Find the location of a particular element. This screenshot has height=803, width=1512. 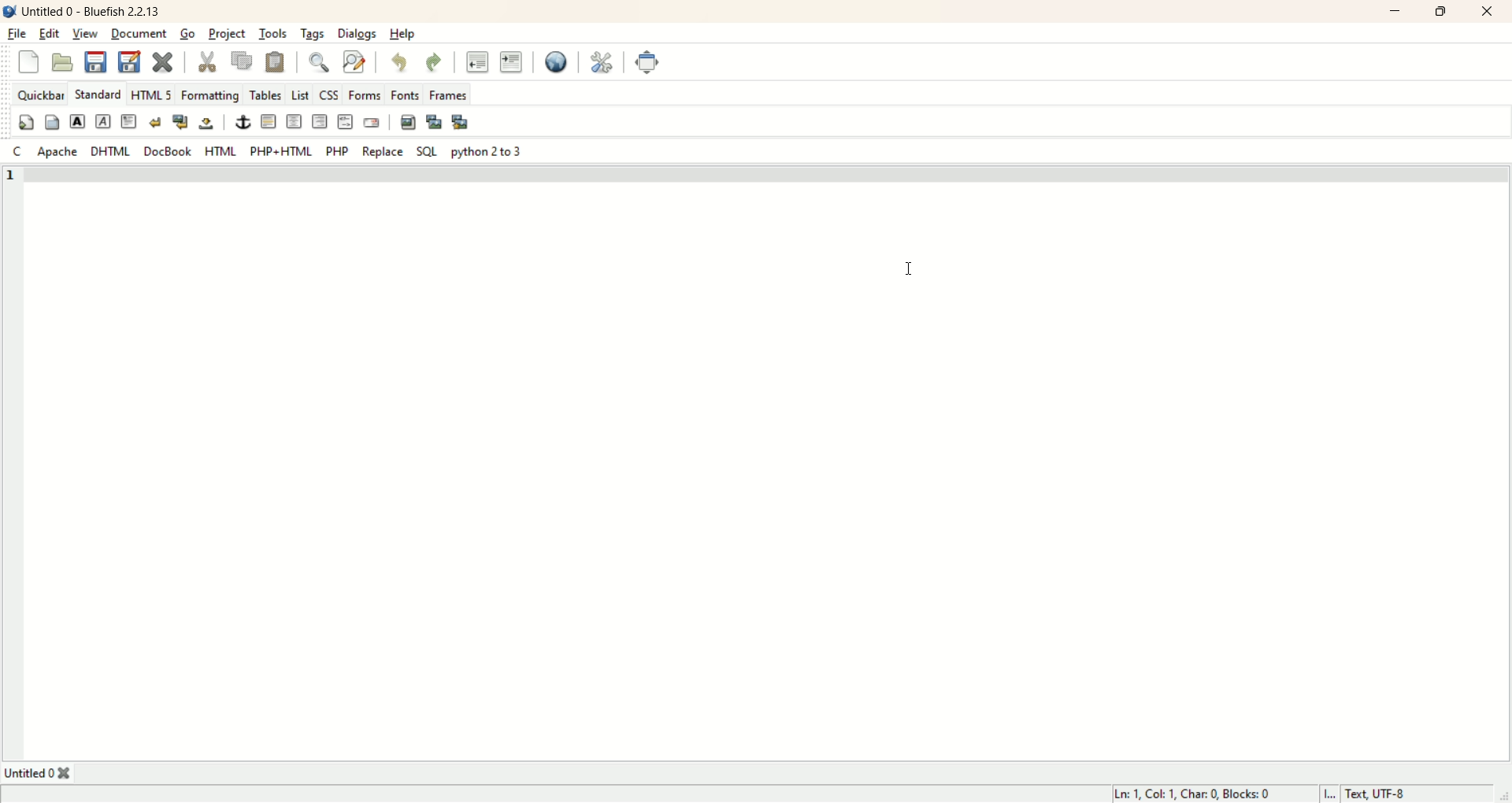

view is located at coordinates (84, 34).